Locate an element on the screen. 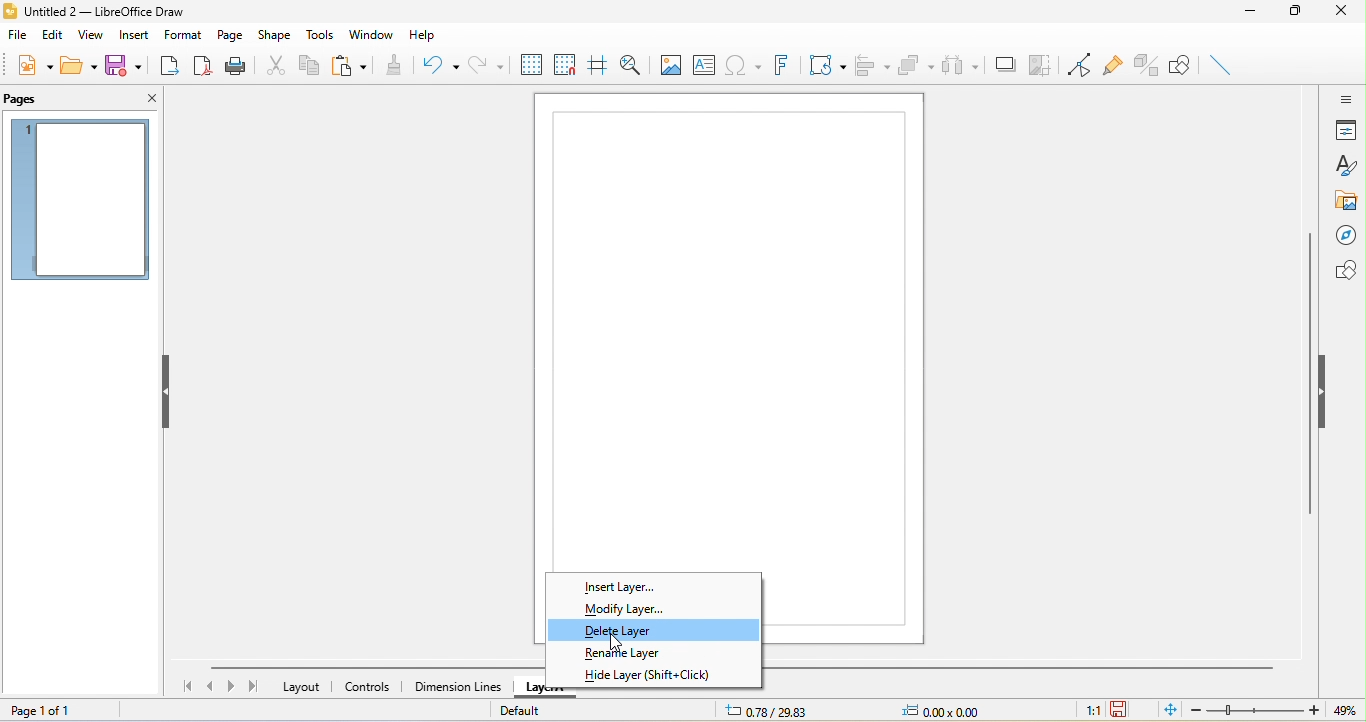 The width and height of the screenshot is (1366, 722). hide is located at coordinates (167, 392).